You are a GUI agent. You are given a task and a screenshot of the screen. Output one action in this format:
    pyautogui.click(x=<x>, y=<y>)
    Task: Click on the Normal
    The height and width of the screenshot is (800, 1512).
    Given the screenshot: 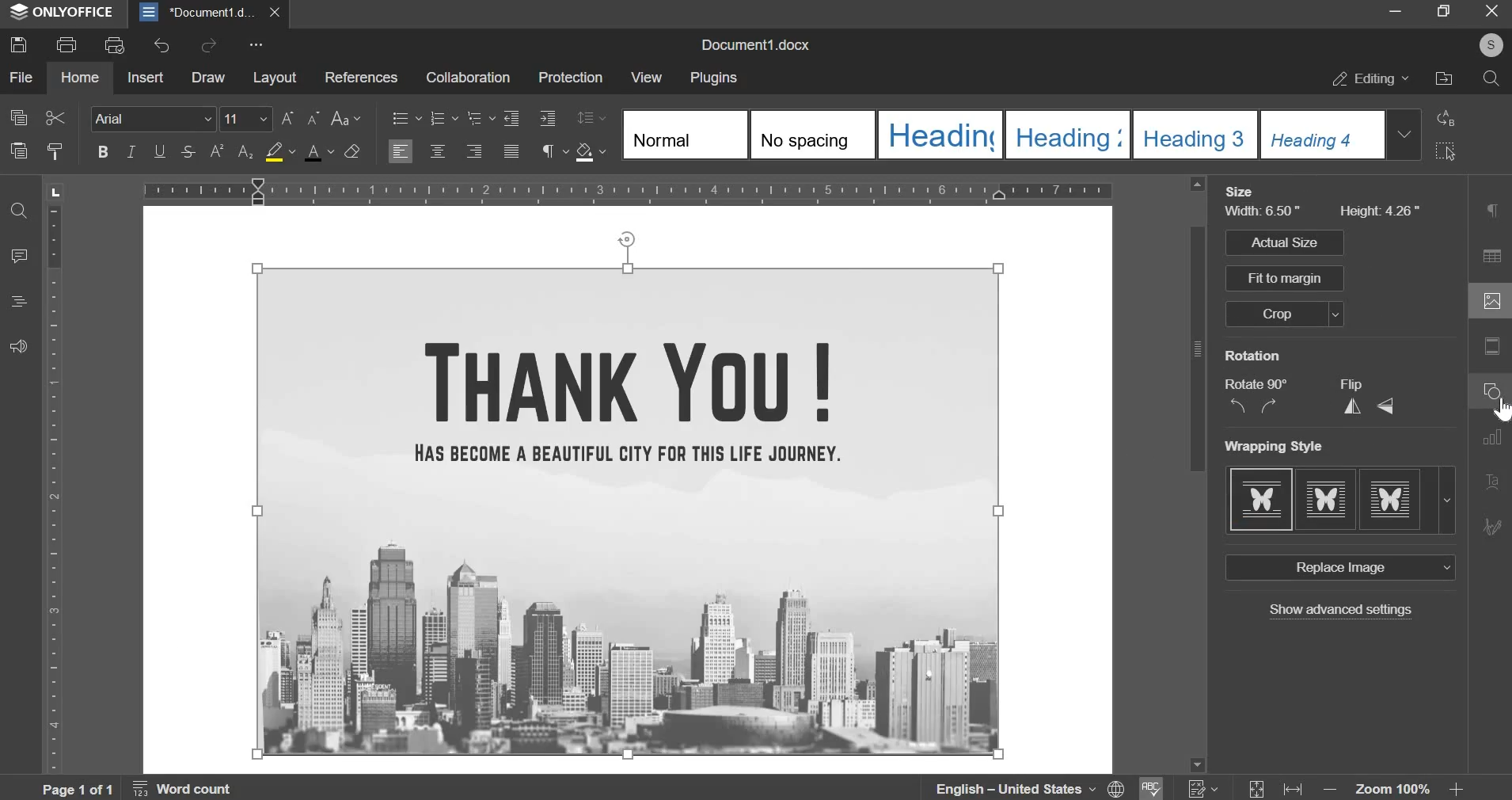 What is the action you would take?
    pyautogui.click(x=682, y=135)
    